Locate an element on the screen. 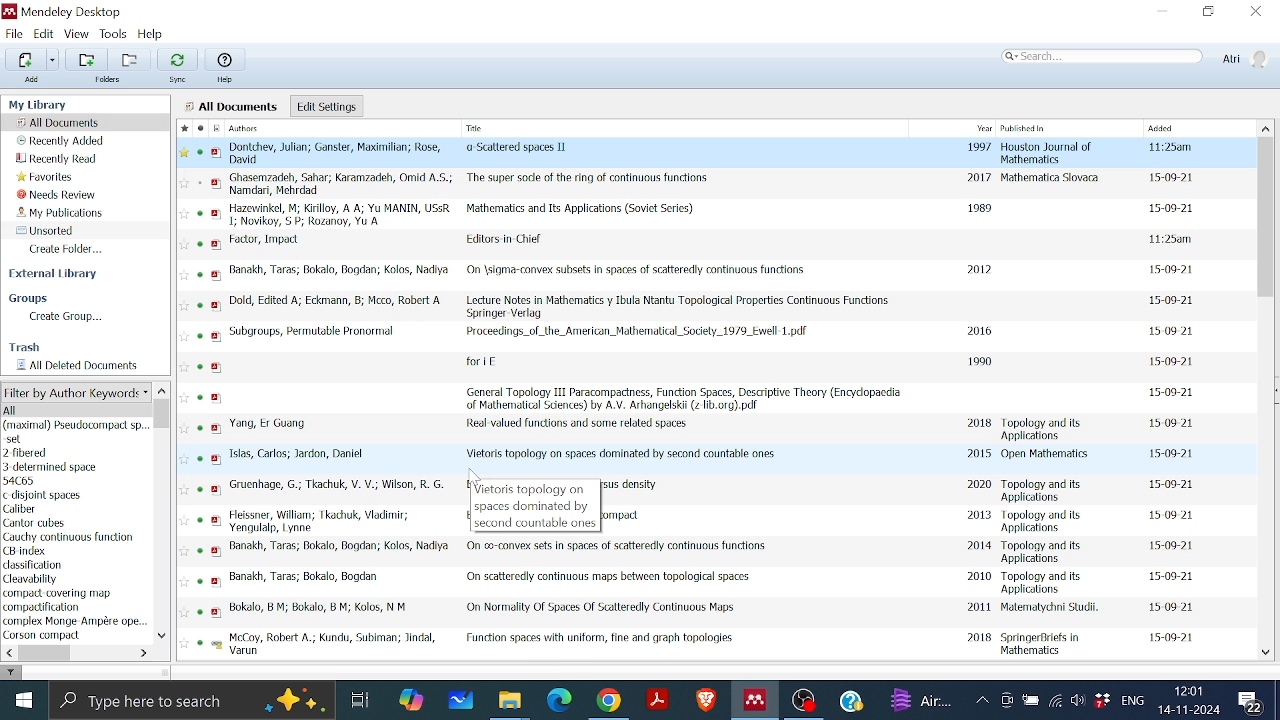 This screenshot has height=720, width=1280. Sync is located at coordinates (178, 59).